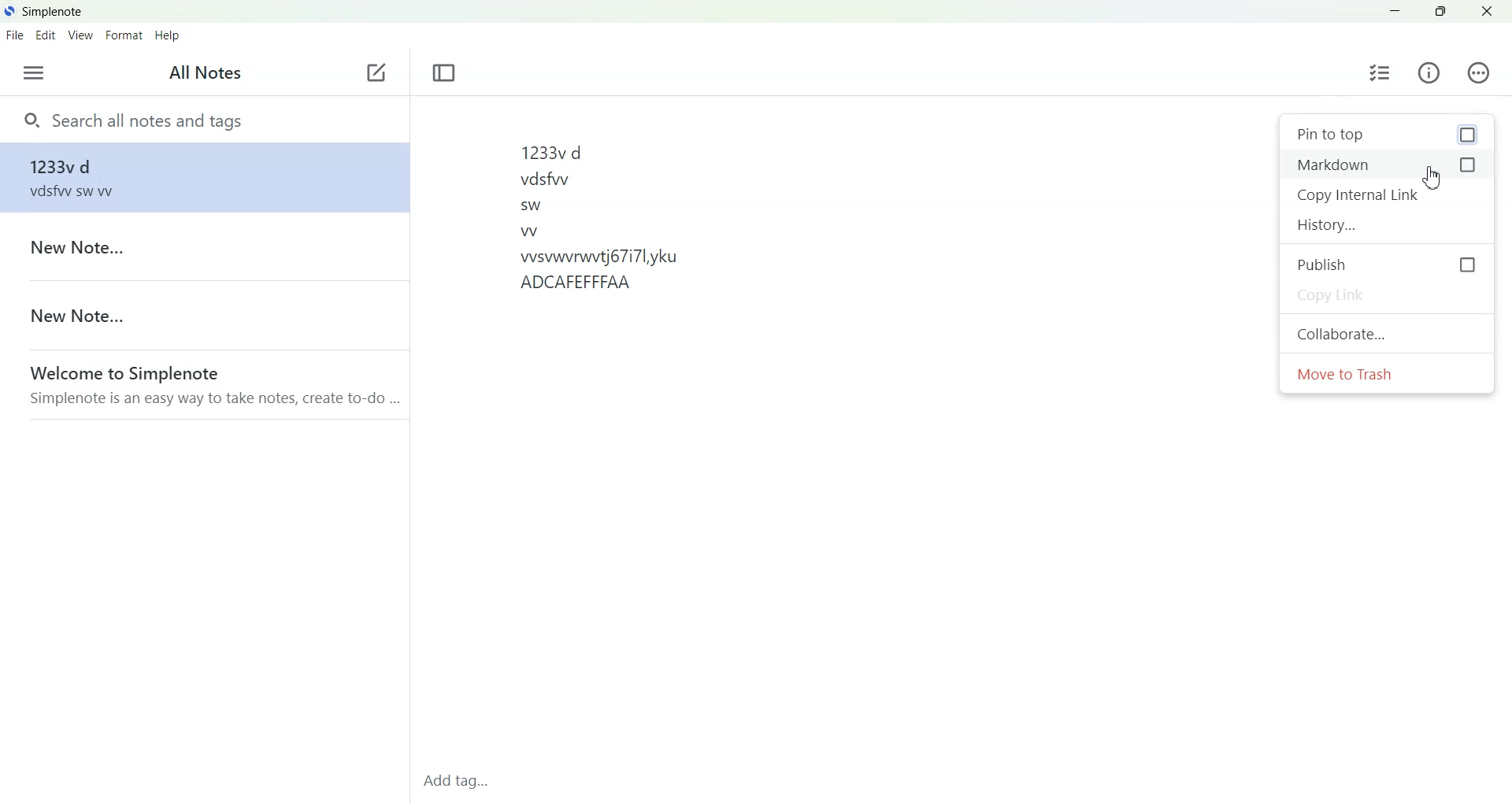 The image size is (1512, 803). Describe the element at coordinates (1478, 72) in the screenshot. I see `Action` at that location.